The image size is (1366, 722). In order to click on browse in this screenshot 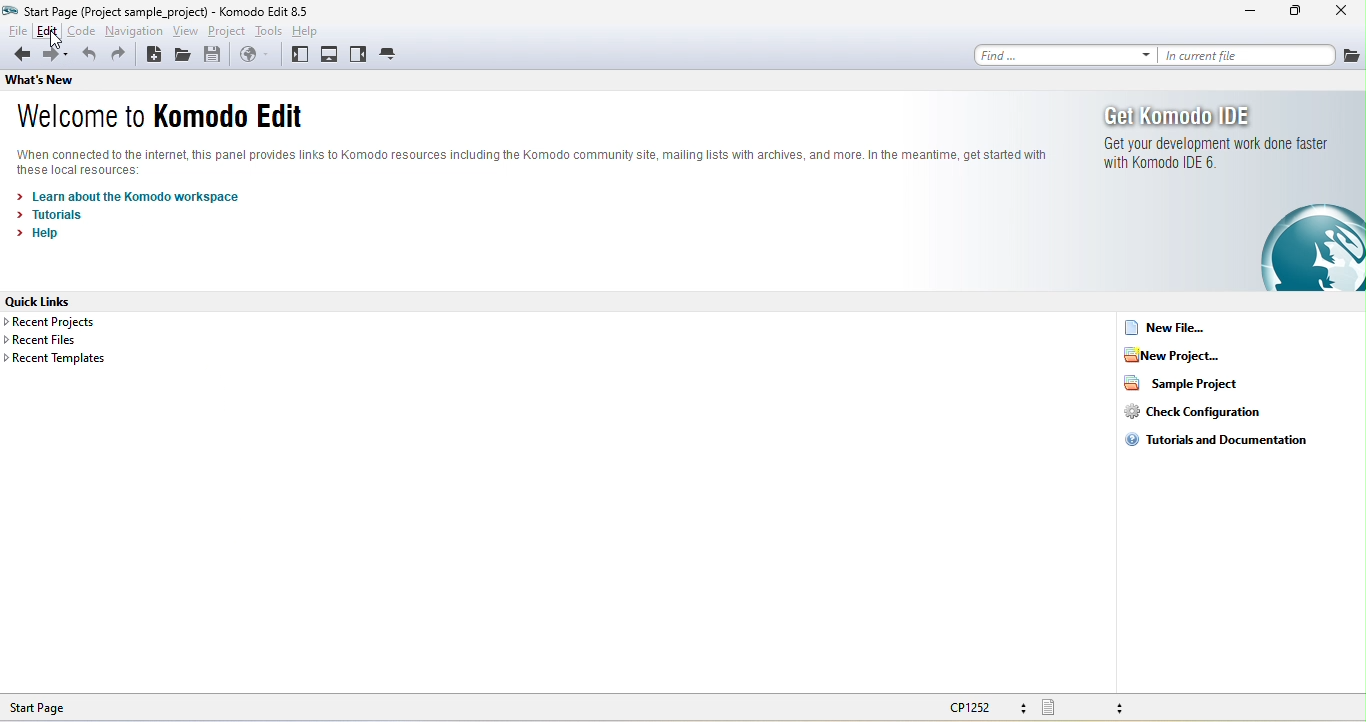, I will do `click(253, 57)`.